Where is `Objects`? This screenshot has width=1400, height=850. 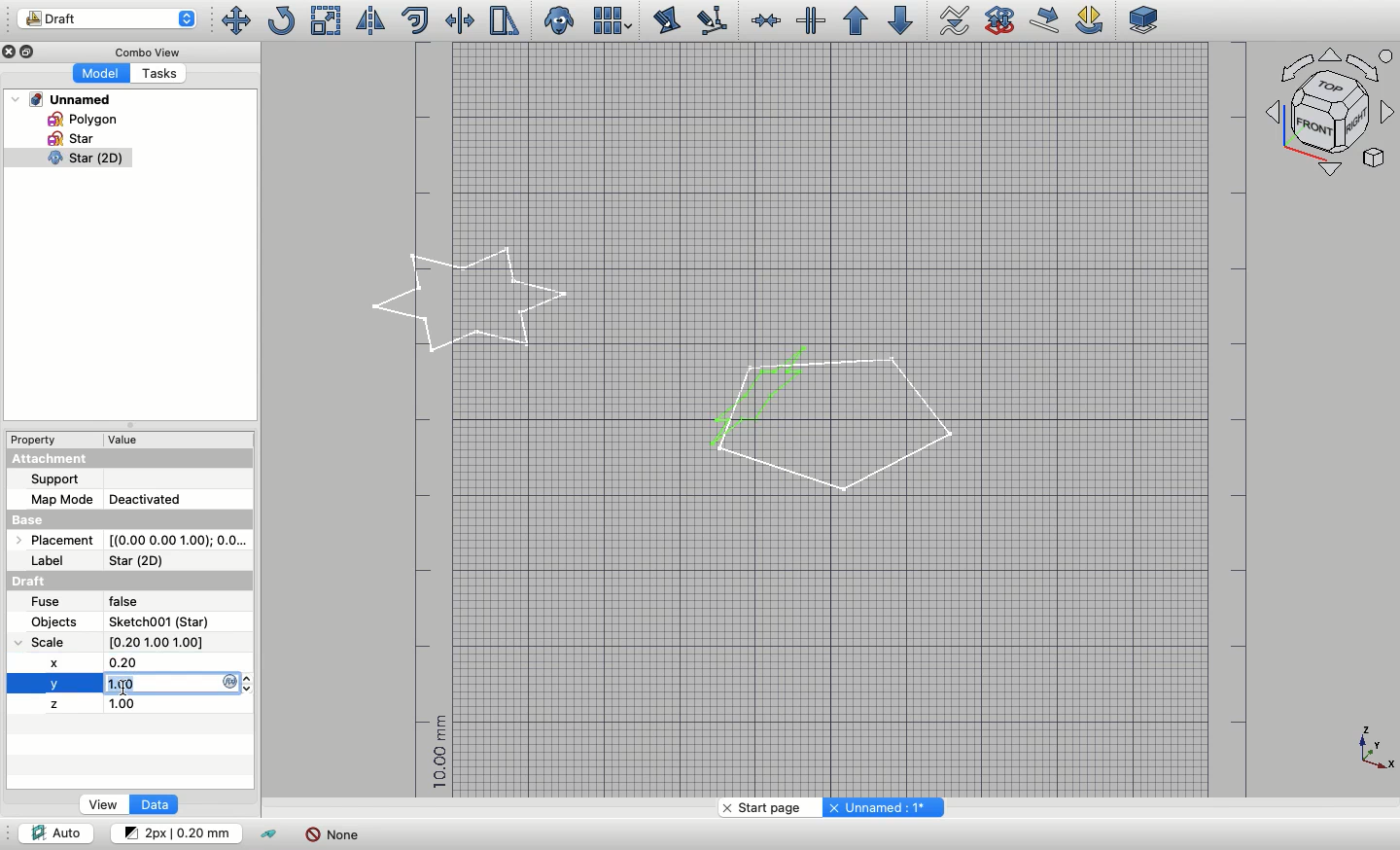
Objects is located at coordinates (56, 621).